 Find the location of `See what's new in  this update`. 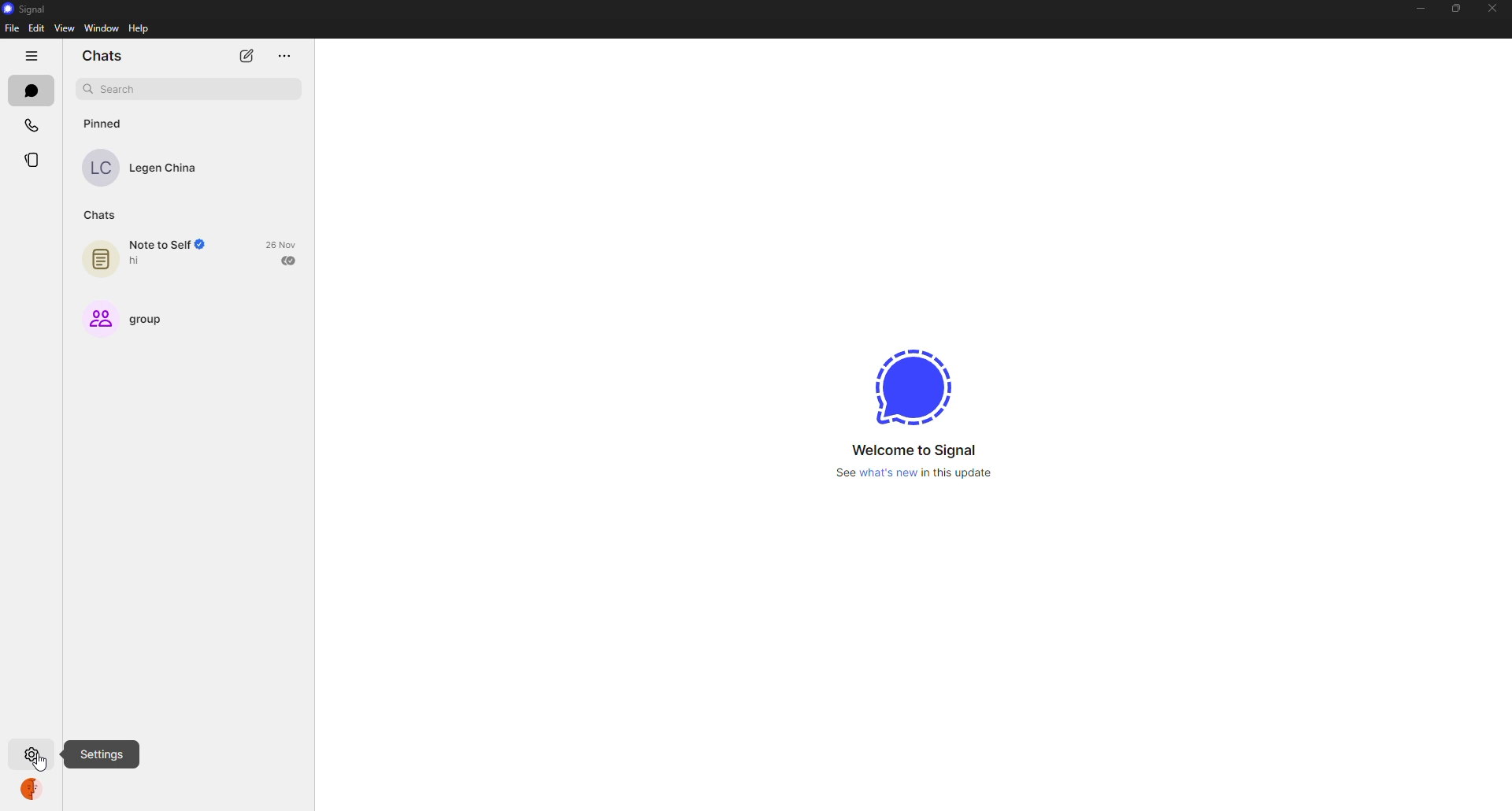

See what's new in  this update is located at coordinates (917, 475).